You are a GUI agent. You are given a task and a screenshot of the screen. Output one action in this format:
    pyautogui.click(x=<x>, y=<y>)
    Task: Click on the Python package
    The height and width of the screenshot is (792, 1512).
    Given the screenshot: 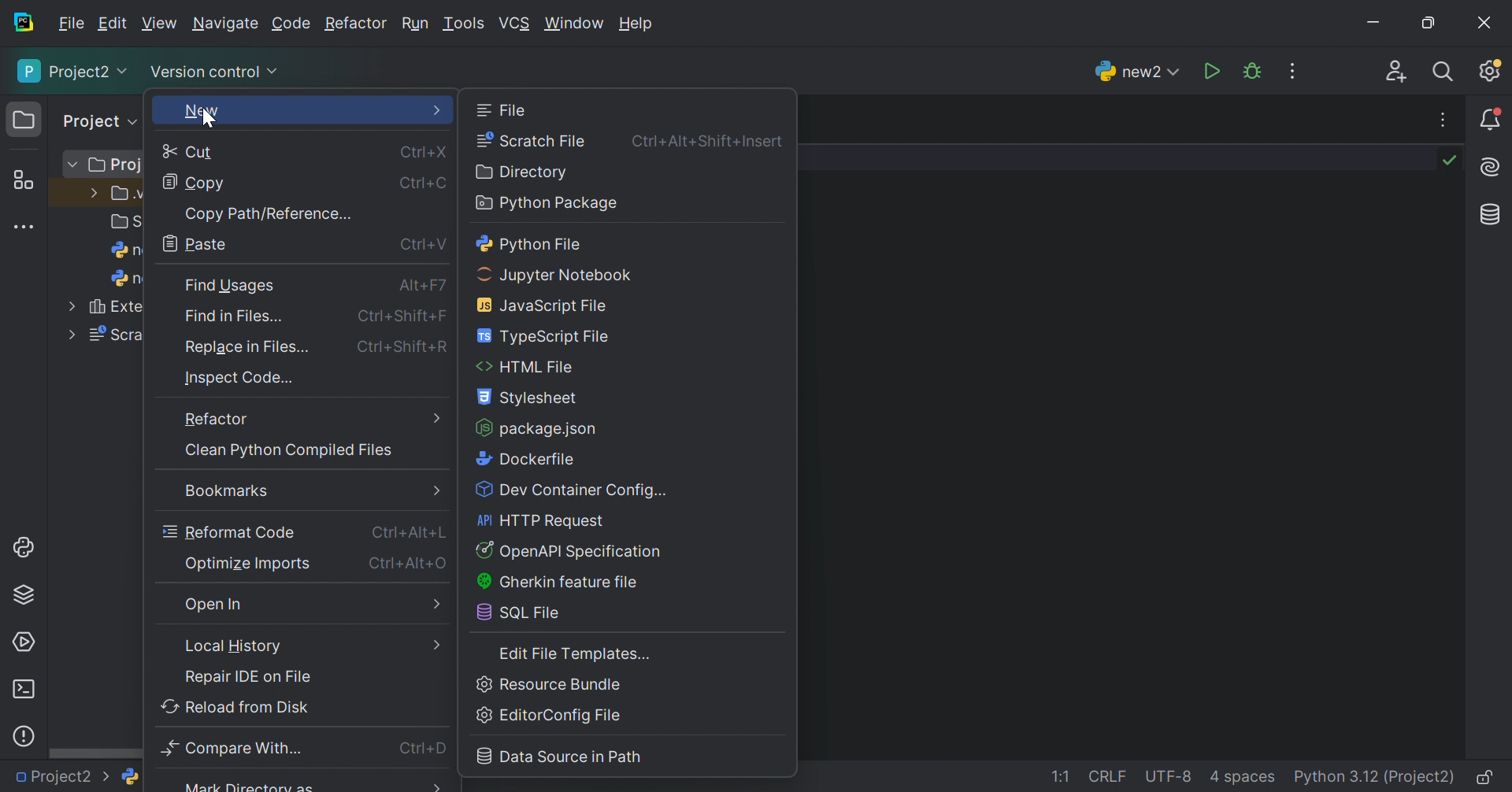 What is the action you would take?
    pyautogui.click(x=550, y=204)
    